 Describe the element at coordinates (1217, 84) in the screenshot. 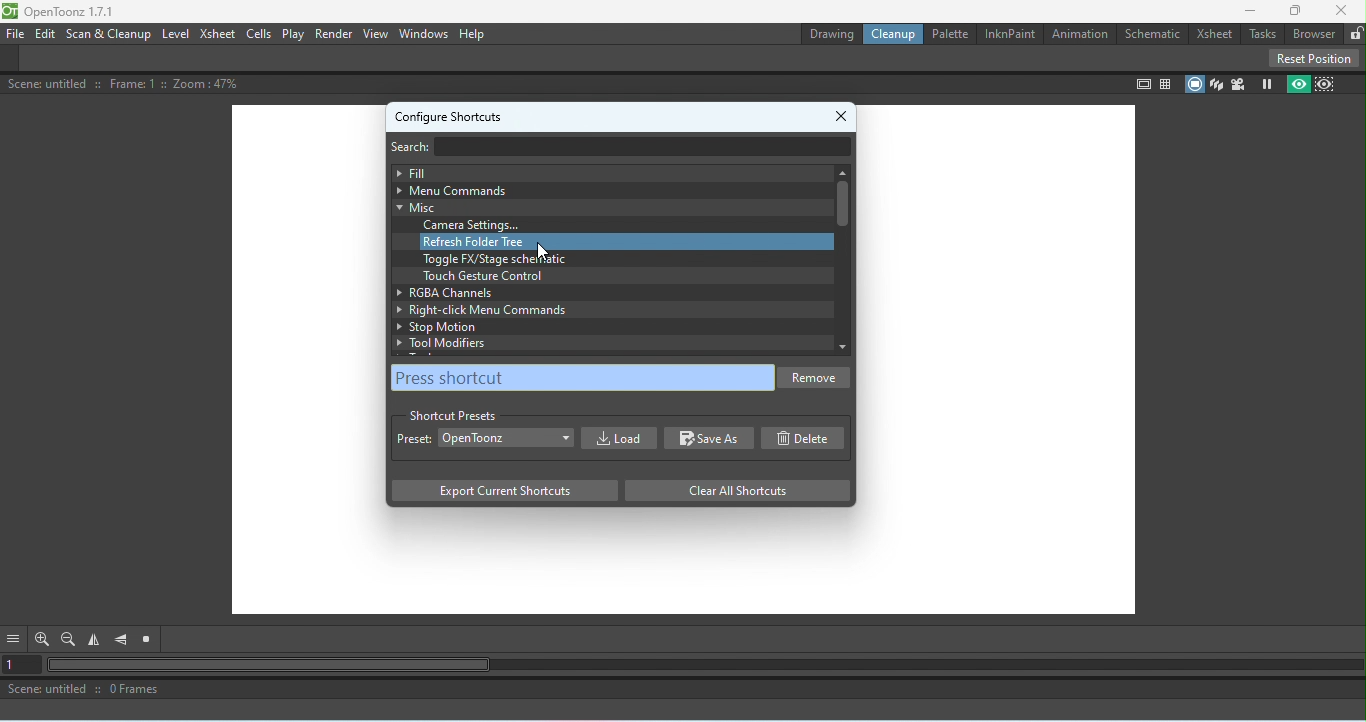

I see `3D view` at that location.